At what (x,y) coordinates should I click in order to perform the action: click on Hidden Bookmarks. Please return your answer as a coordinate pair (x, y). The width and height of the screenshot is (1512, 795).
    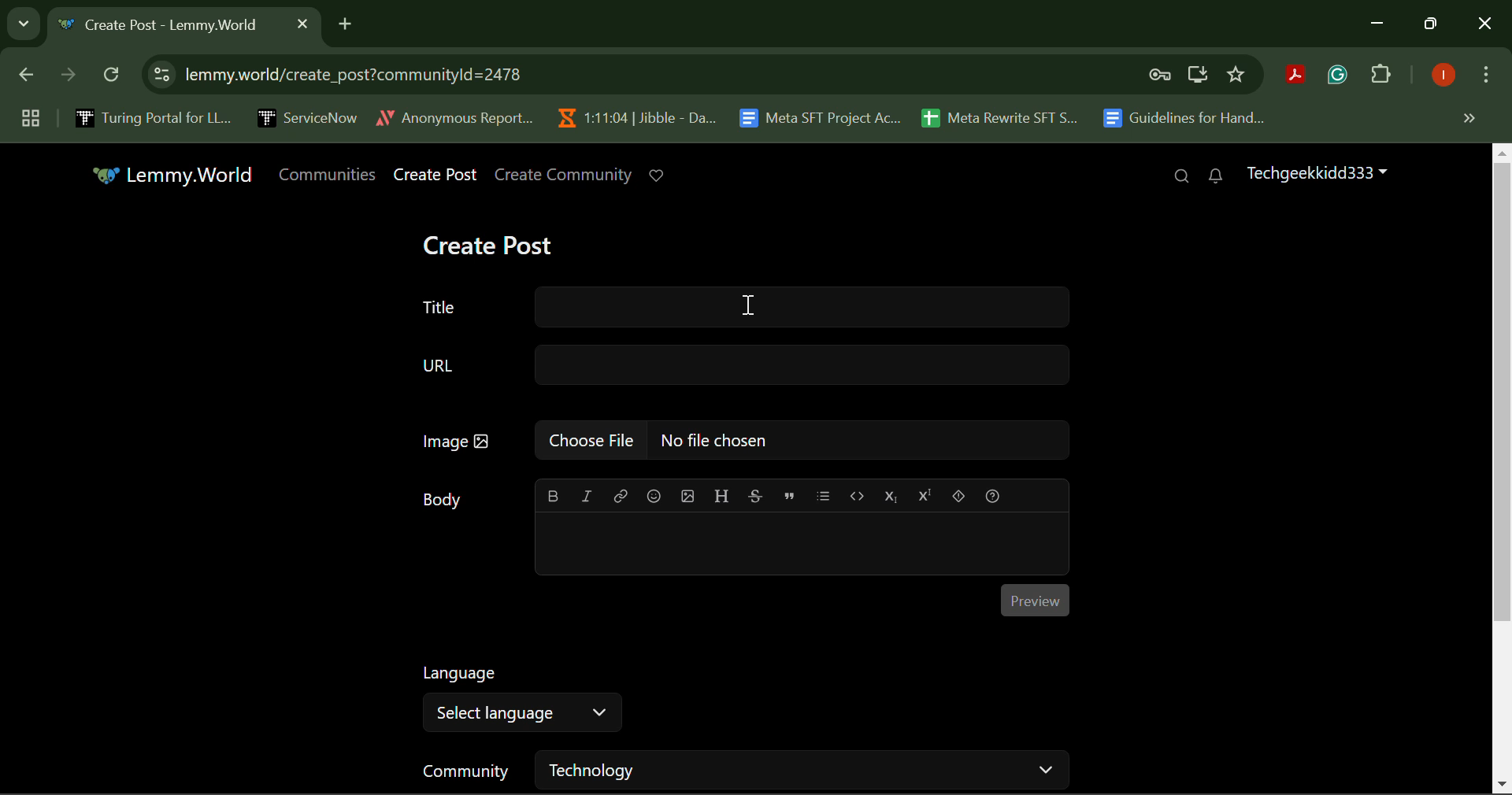
    Looking at the image, I should click on (1468, 117).